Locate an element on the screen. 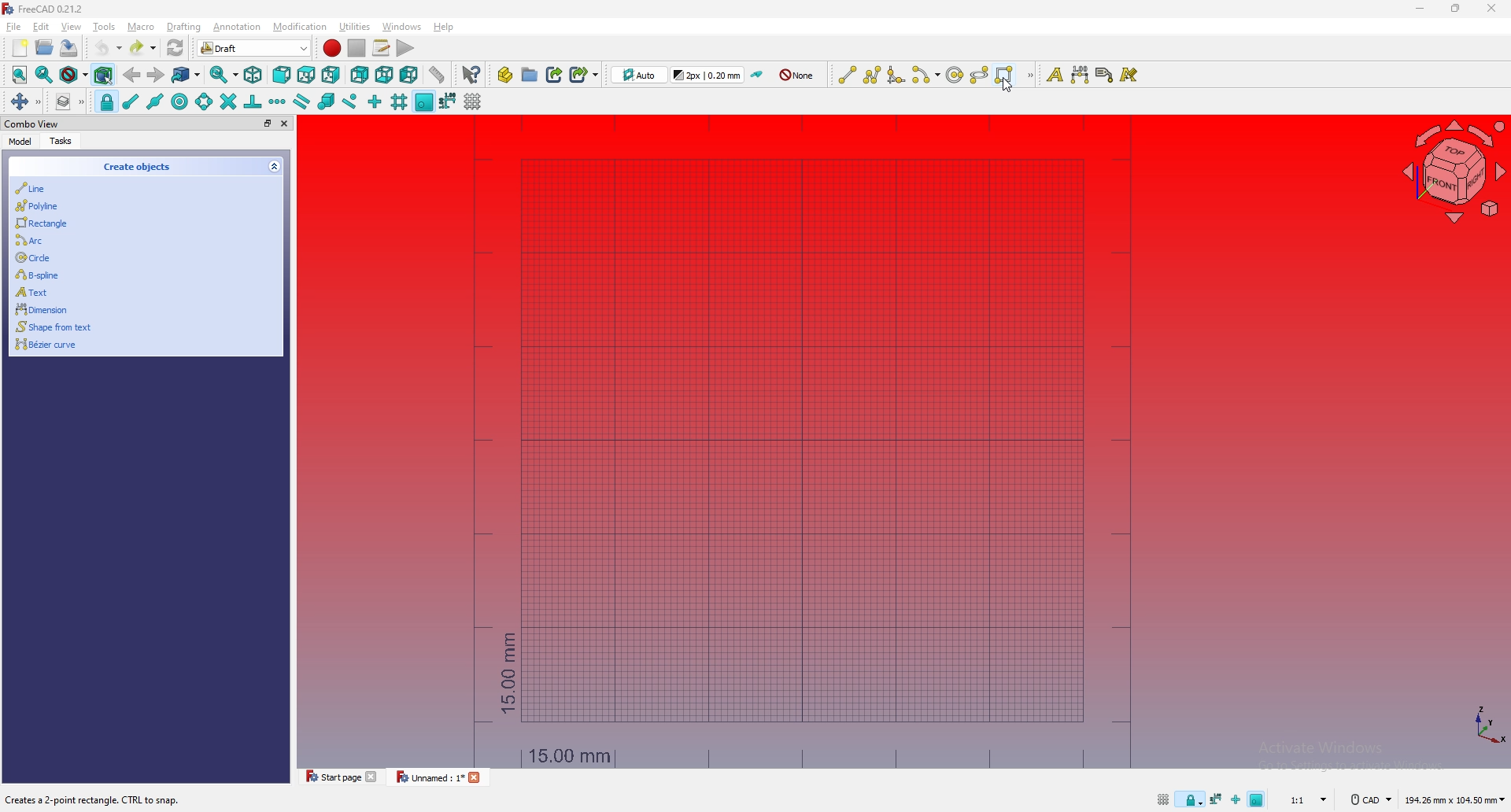 The width and height of the screenshot is (1511, 812). line is located at coordinates (847, 75).